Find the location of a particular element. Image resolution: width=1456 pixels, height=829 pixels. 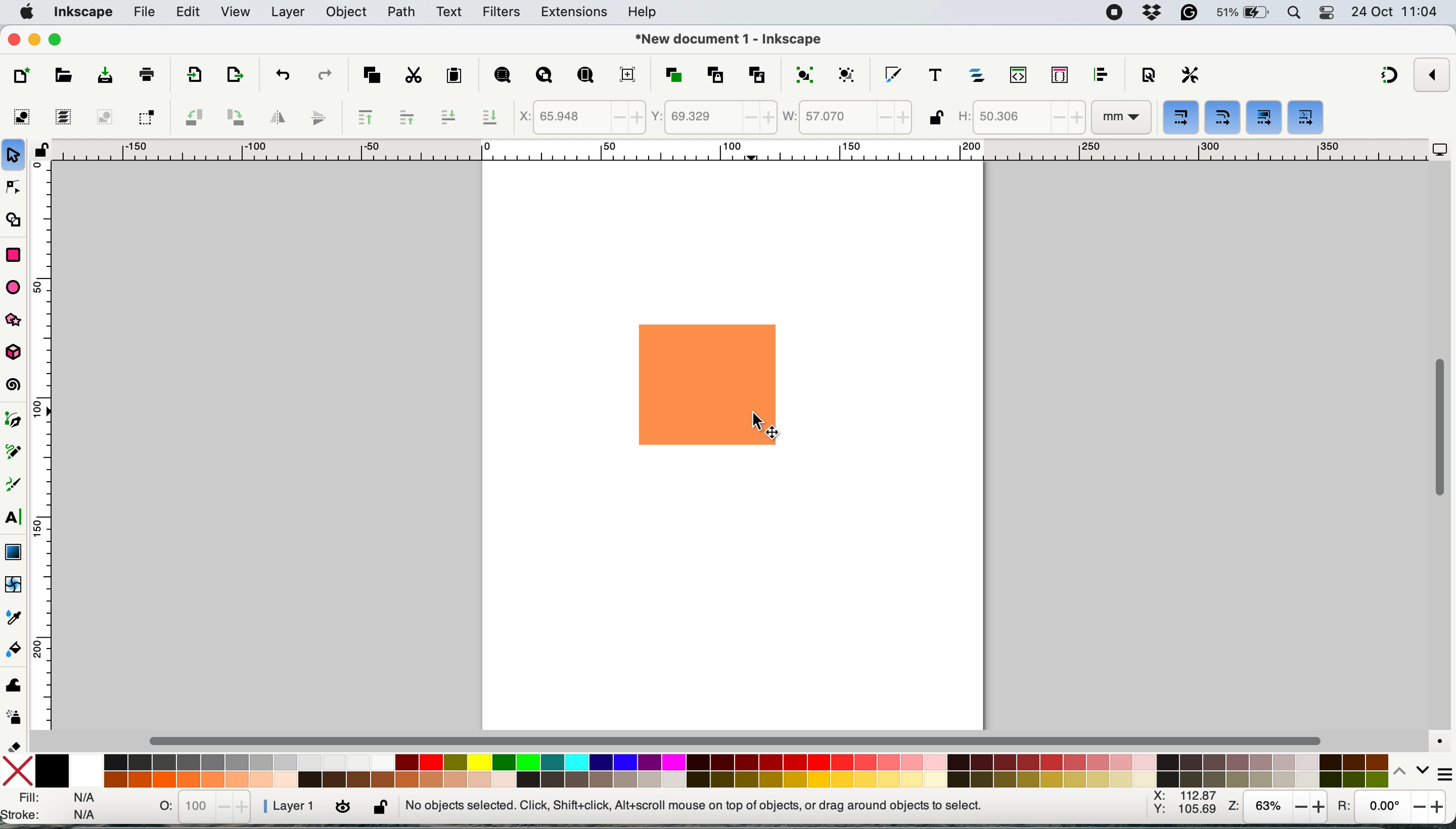

display options is located at coordinates (1440, 150).